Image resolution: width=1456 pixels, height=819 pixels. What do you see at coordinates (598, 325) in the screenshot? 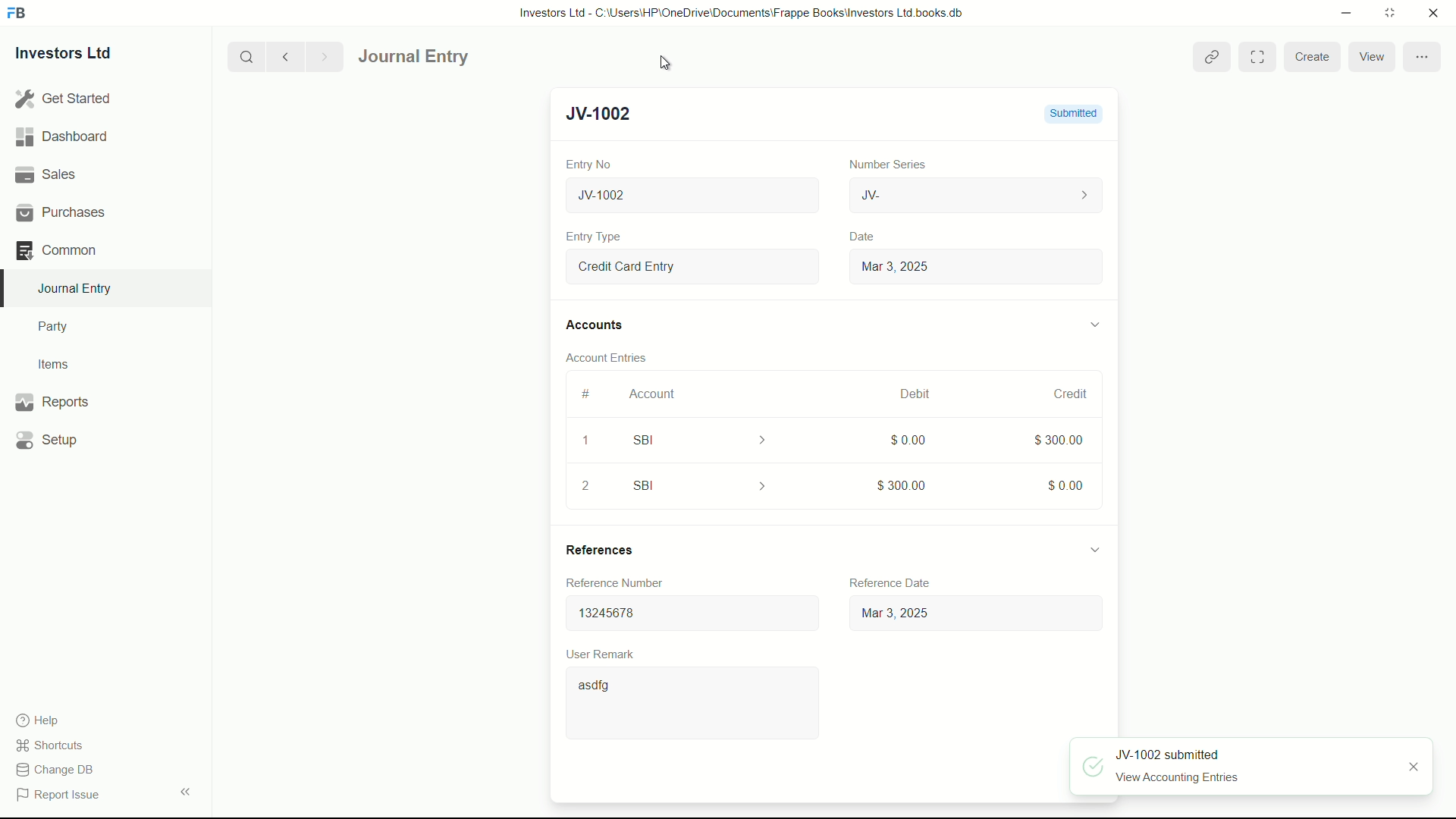
I see `Accounts` at bounding box center [598, 325].